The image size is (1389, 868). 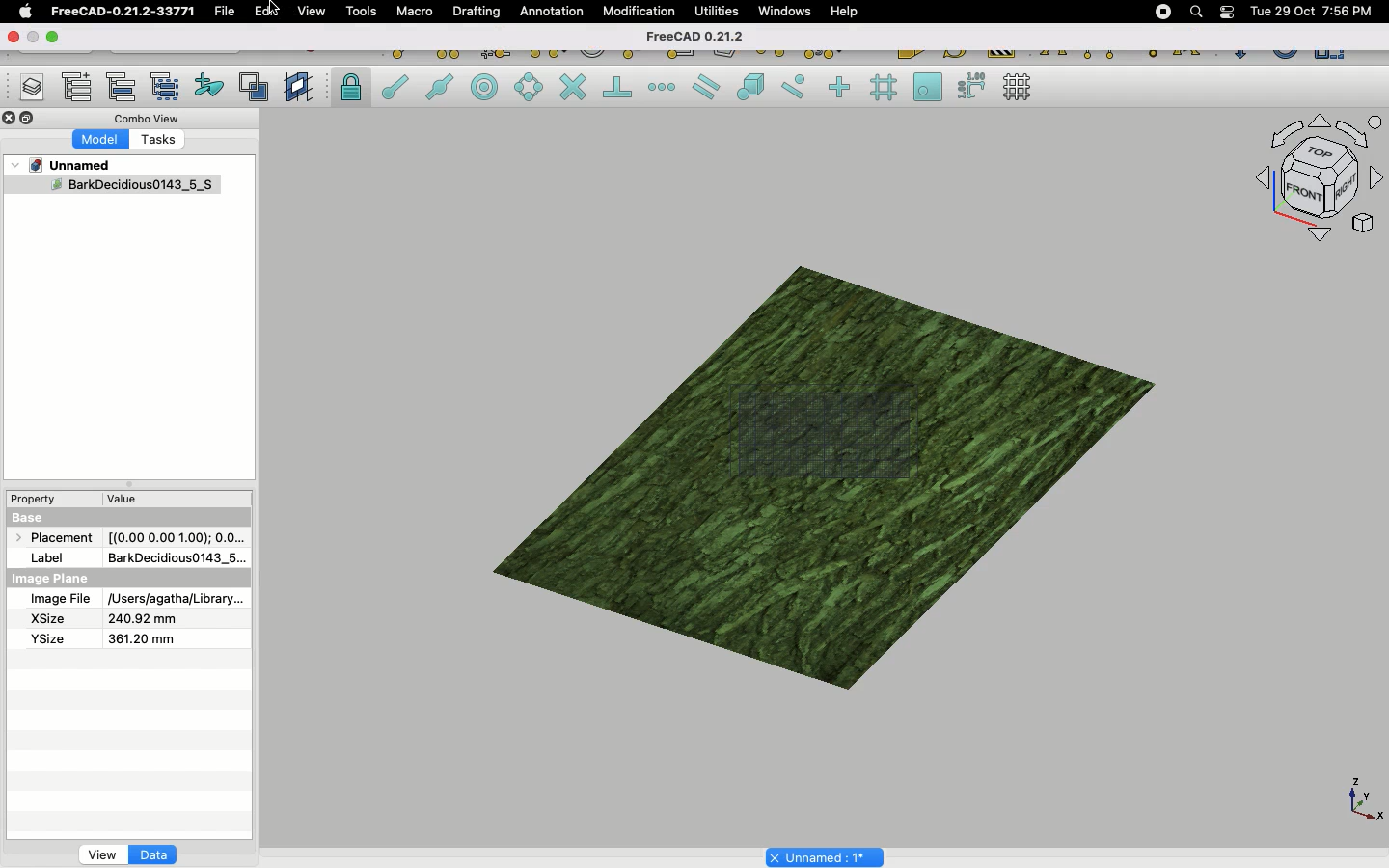 What do you see at coordinates (144, 619) in the screenshot?
I see `240.92 mm` at bounding box center [144, 619].